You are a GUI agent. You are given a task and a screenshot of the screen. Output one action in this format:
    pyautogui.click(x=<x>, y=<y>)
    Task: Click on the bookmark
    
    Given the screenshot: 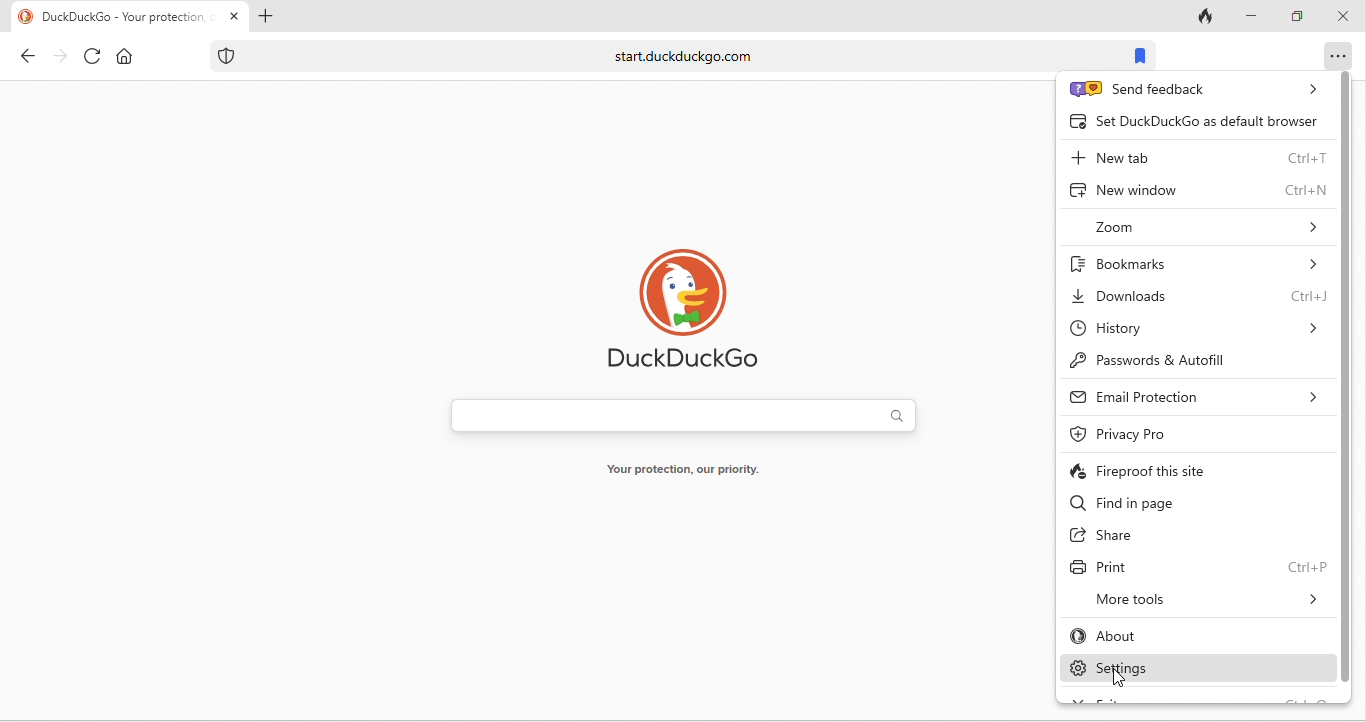 What is the action you would take?
    pyautogui.click(x=1144, y=55)
    